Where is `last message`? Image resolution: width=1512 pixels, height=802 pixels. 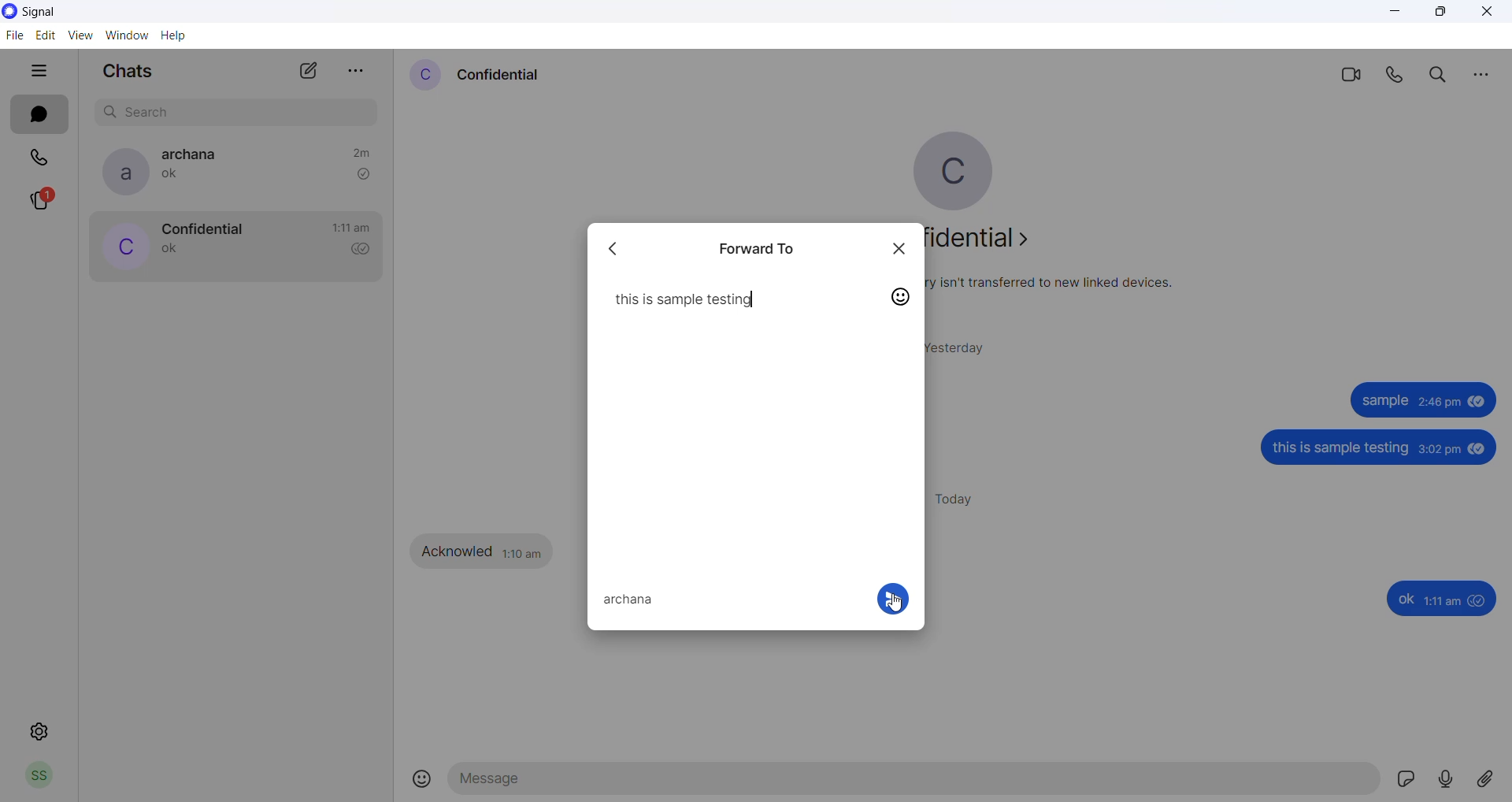 last message is located at coordinates (171, 251).